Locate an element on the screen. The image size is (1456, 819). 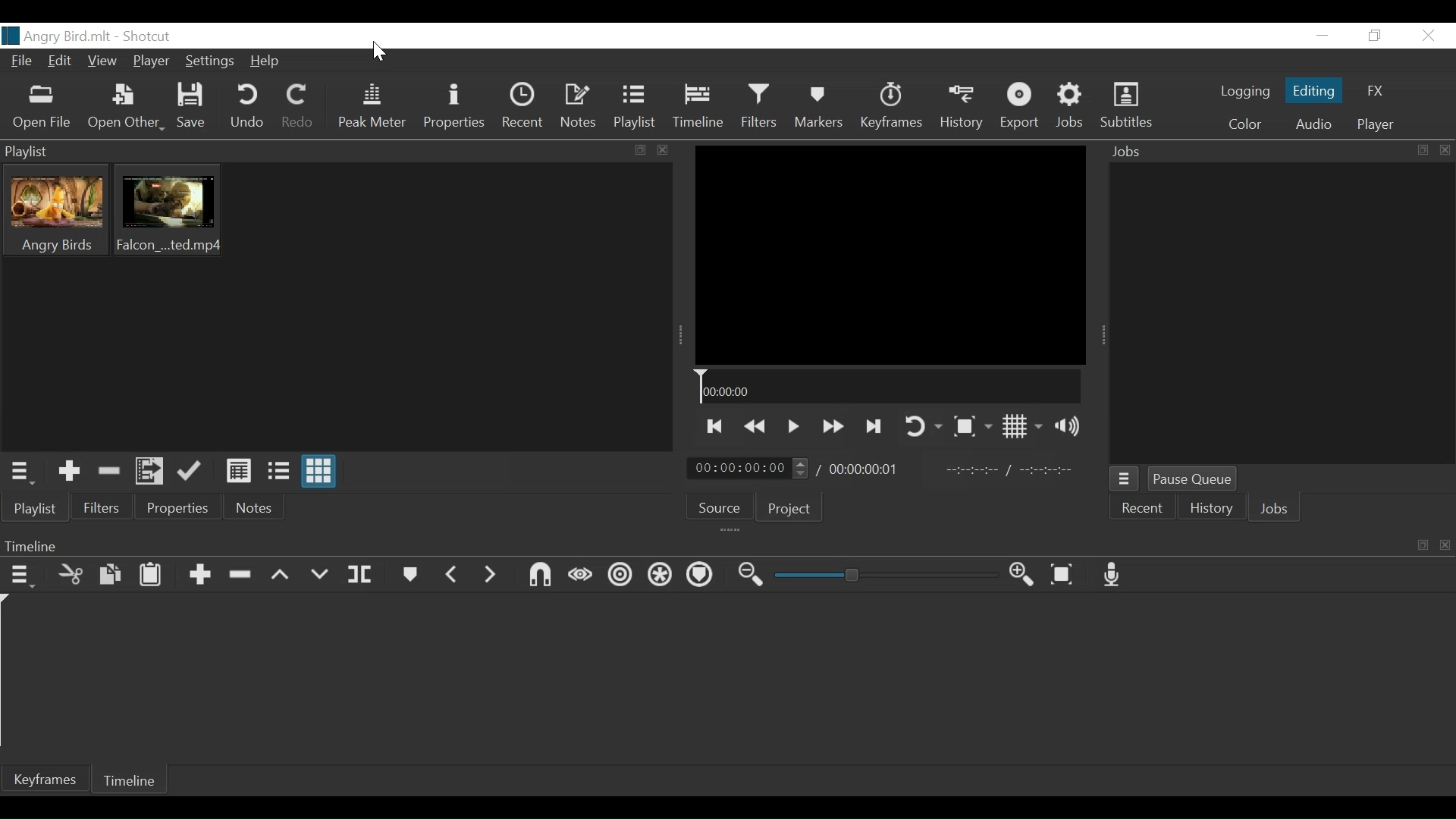
Skip to the previous point is located at coordinates (711, 427).